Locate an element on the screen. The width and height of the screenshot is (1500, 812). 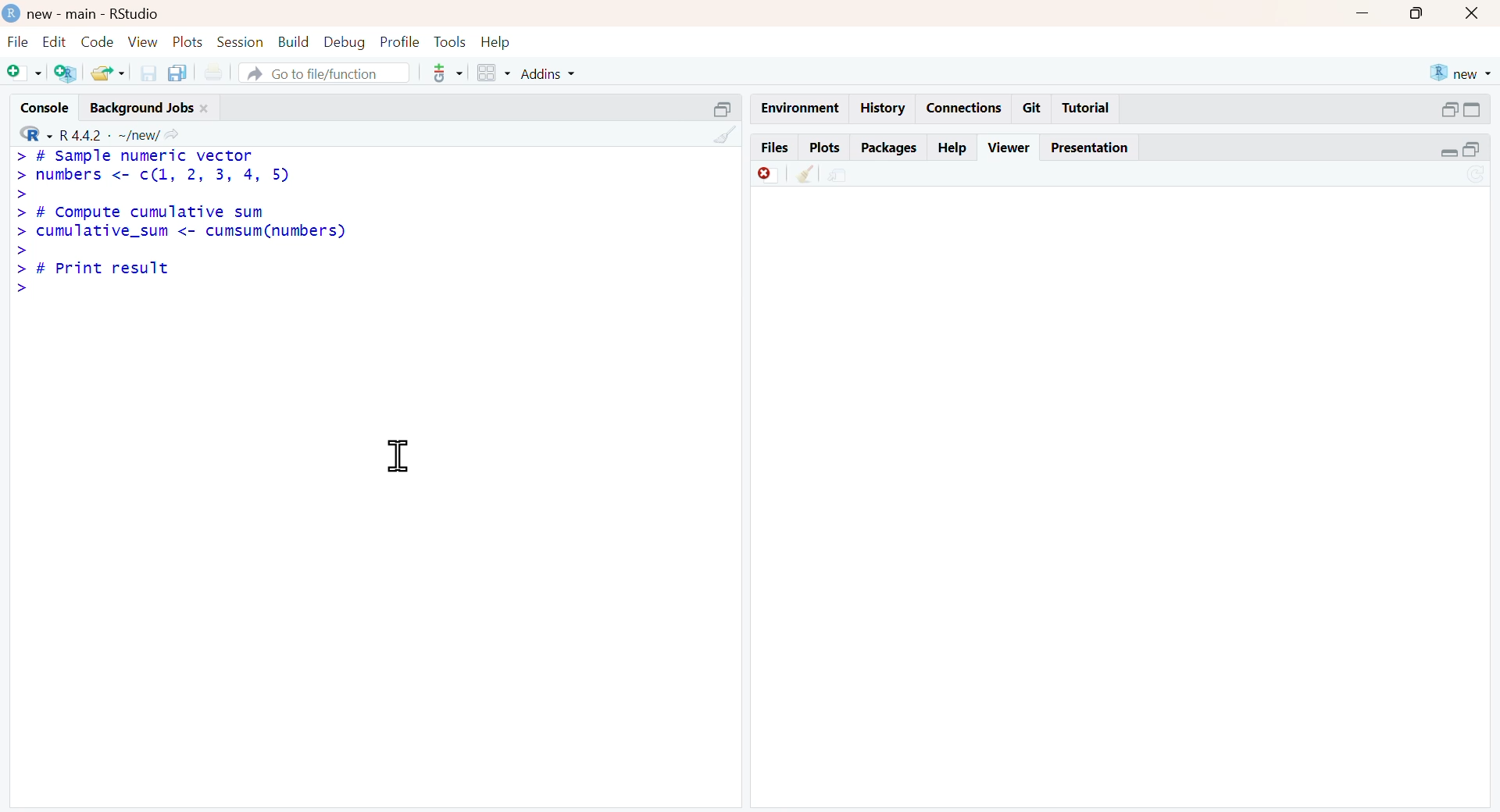
view is located at coordinates (144, 41).